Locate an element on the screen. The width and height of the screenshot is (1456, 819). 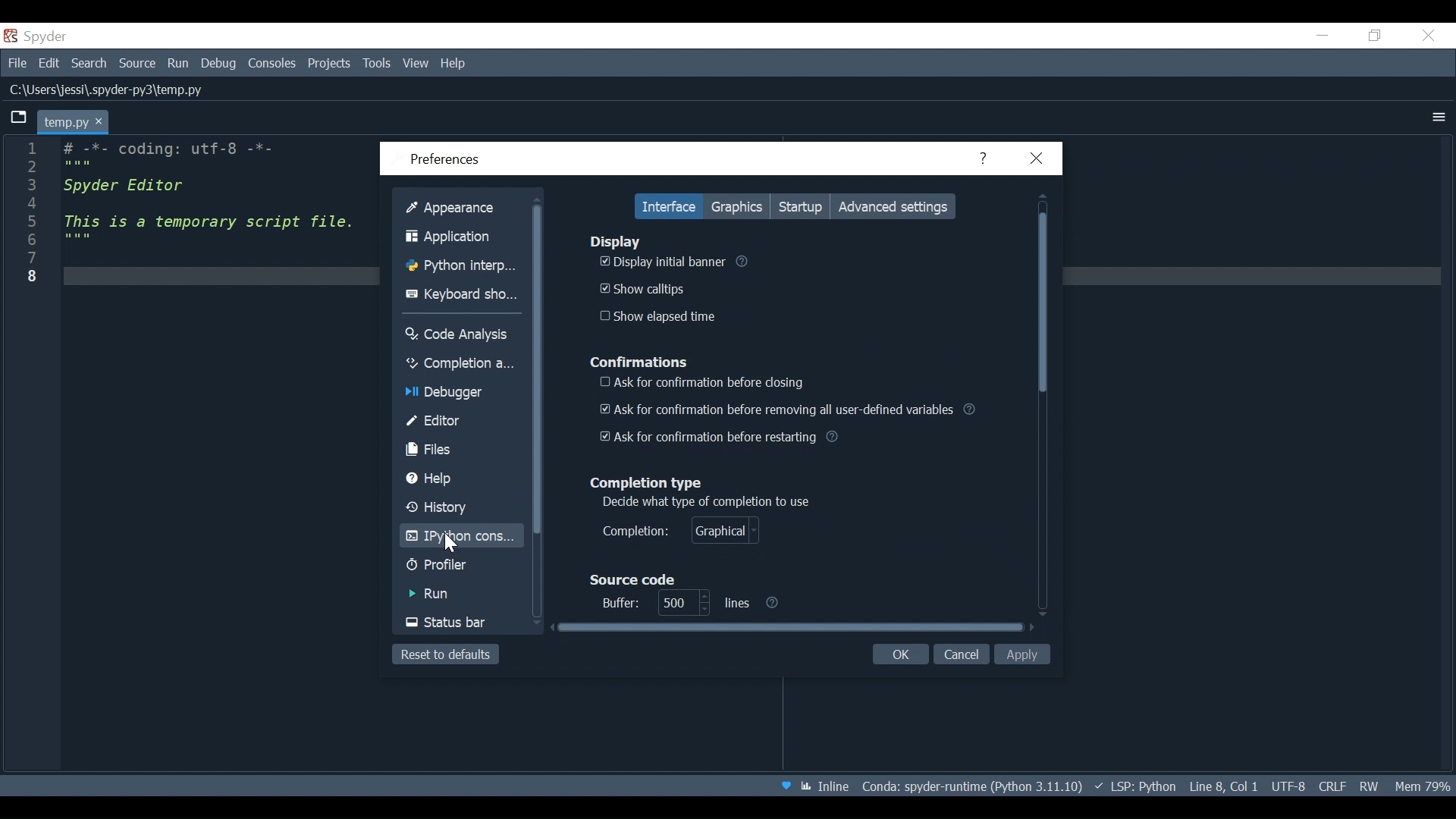
Browse tab is located at coordinates (17, 117).